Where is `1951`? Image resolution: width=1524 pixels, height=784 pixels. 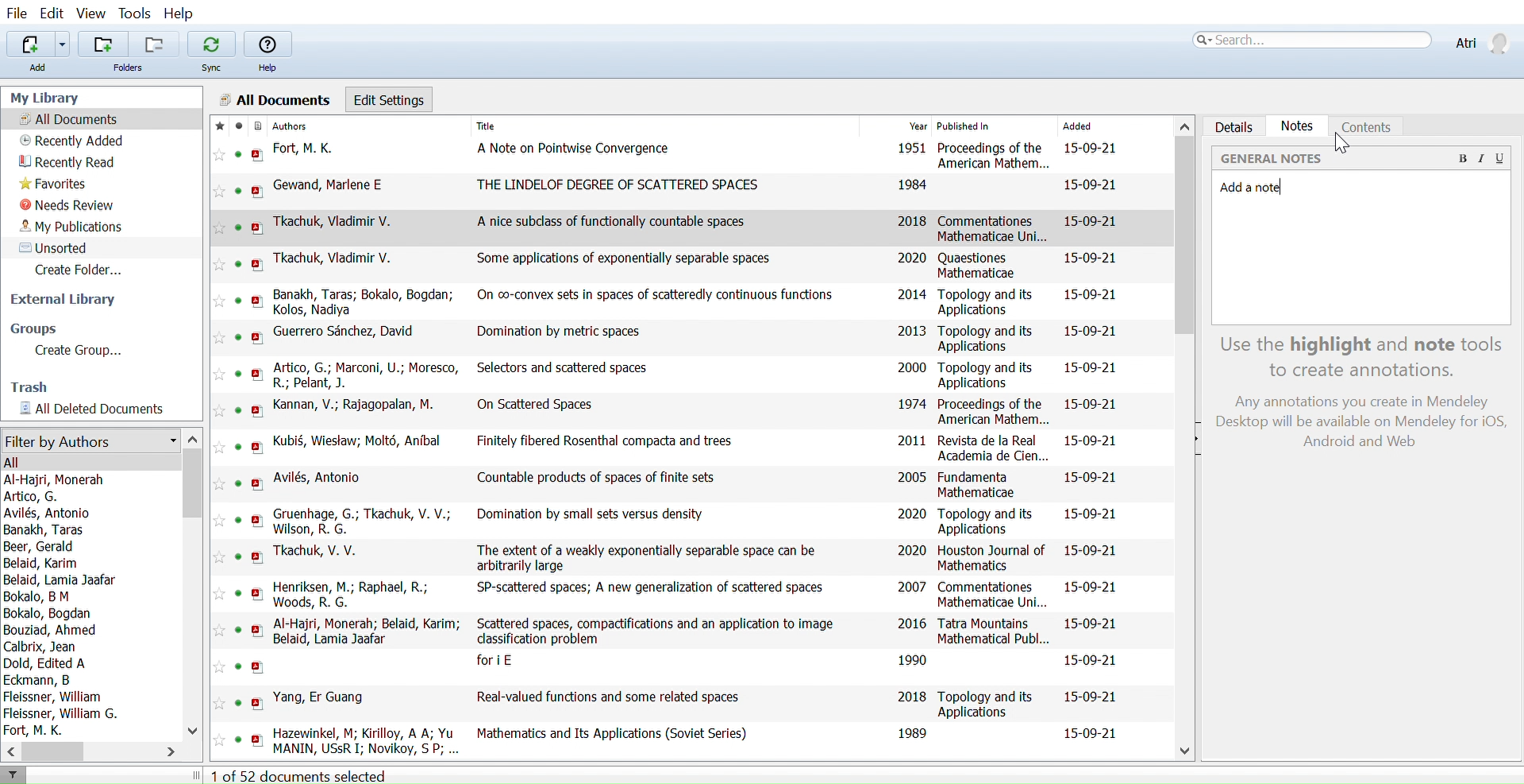 1951 is located at coordinates (913, 149).